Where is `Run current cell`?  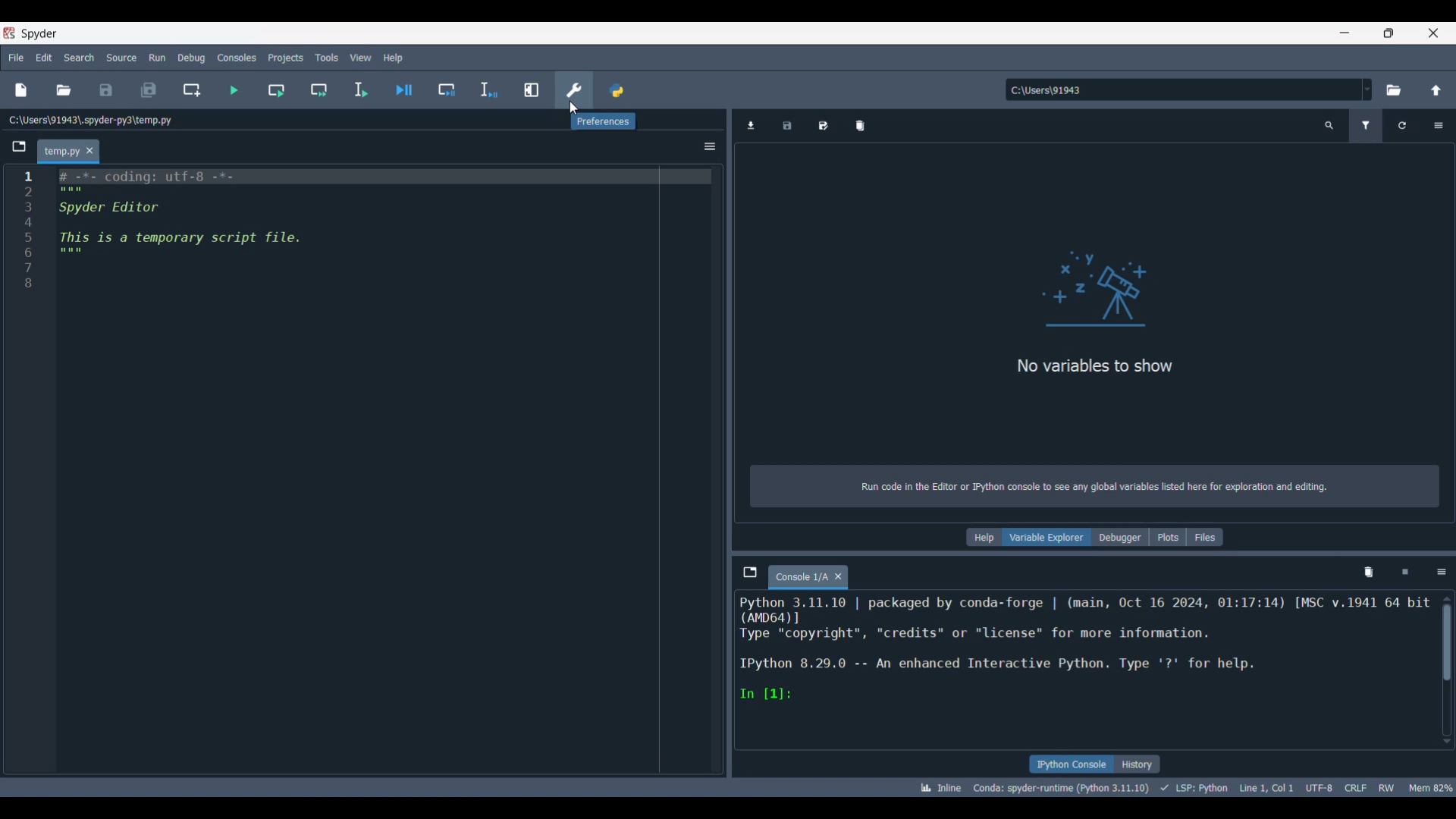 Run current cell is located at coordinates (277, 89).